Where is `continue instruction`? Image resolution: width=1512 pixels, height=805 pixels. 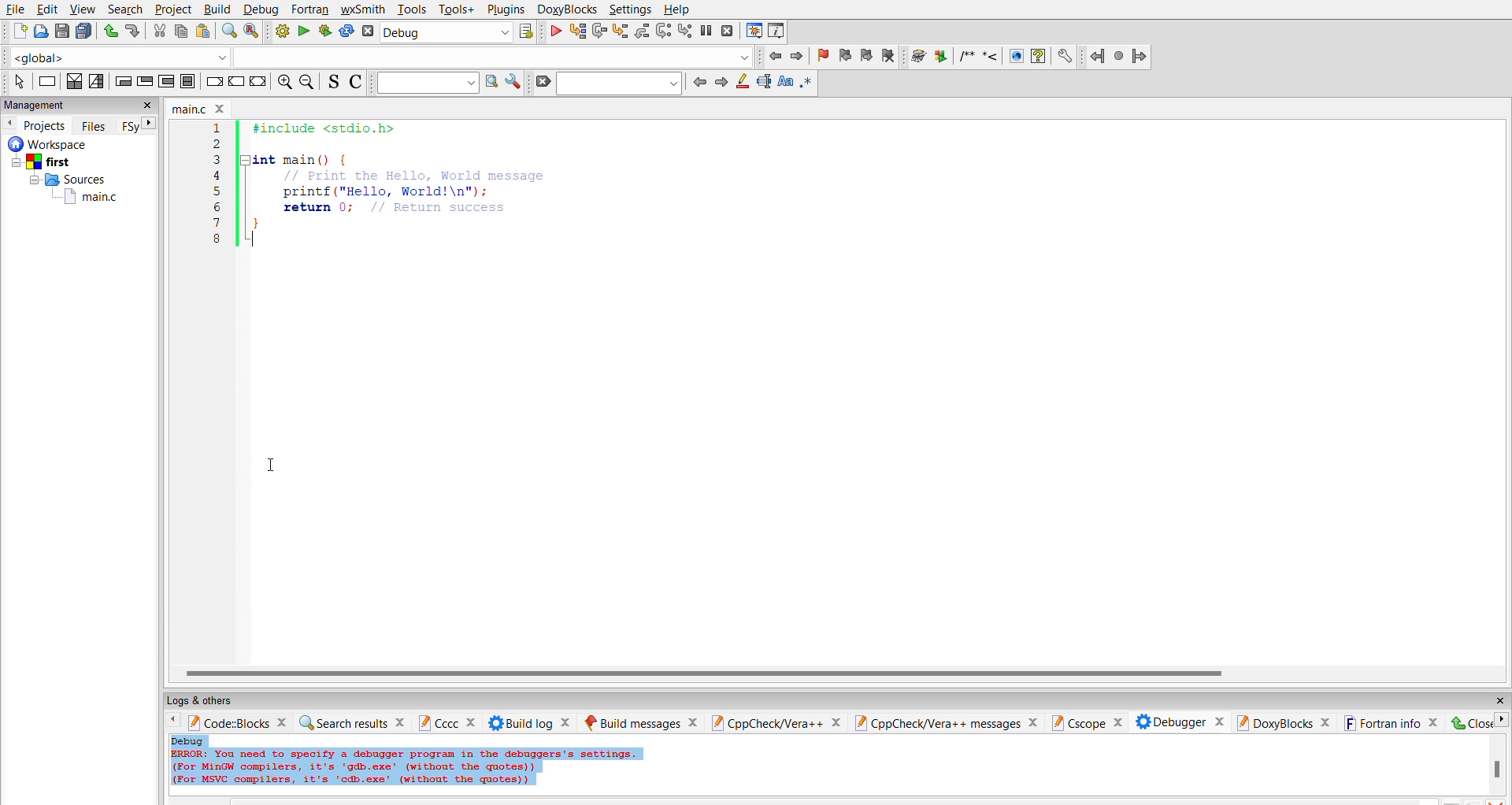
continue instruction is located at coordinates (236, 80).